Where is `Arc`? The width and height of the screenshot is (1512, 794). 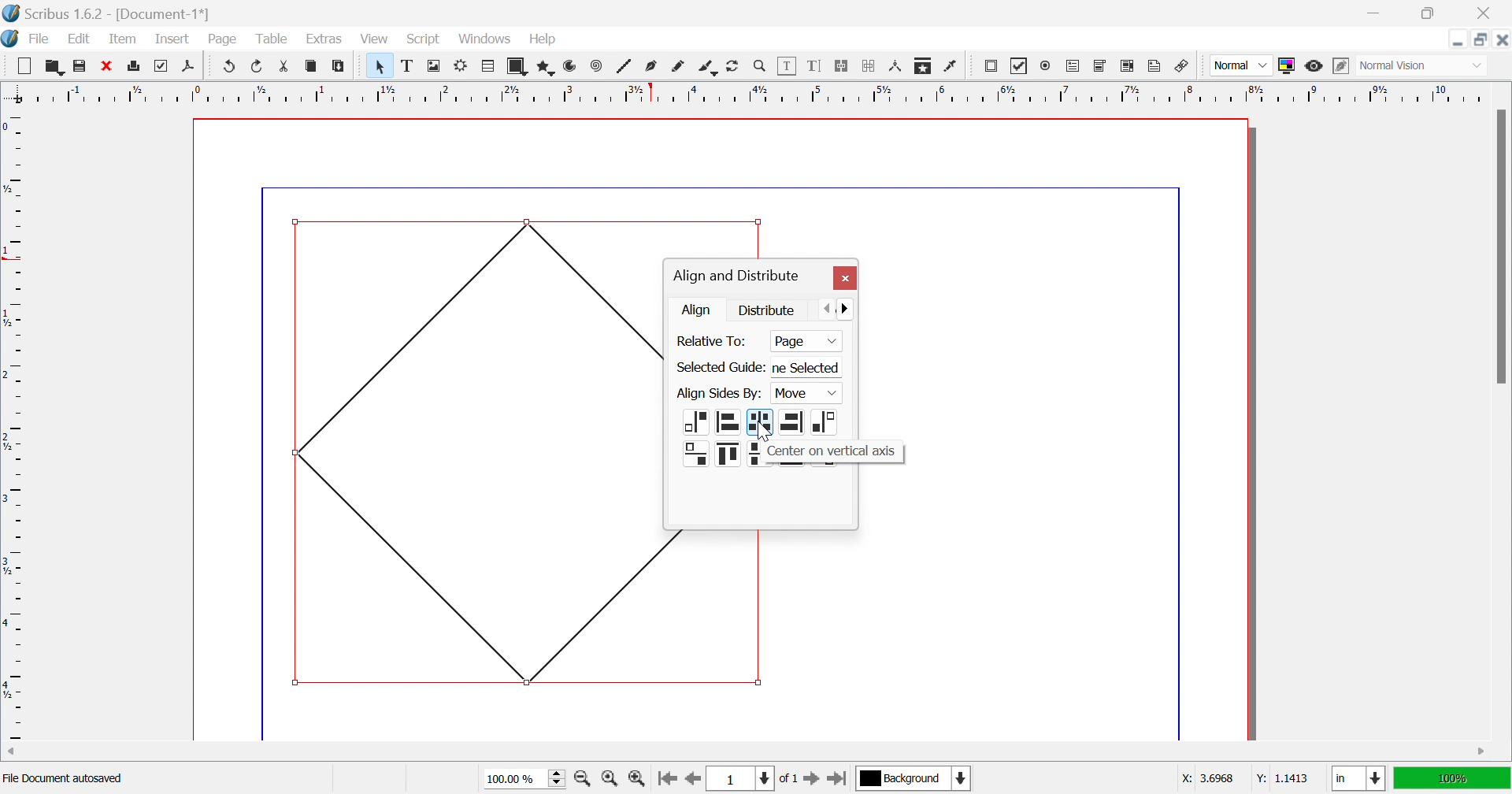 Arc is located at coordinates (570, 65).